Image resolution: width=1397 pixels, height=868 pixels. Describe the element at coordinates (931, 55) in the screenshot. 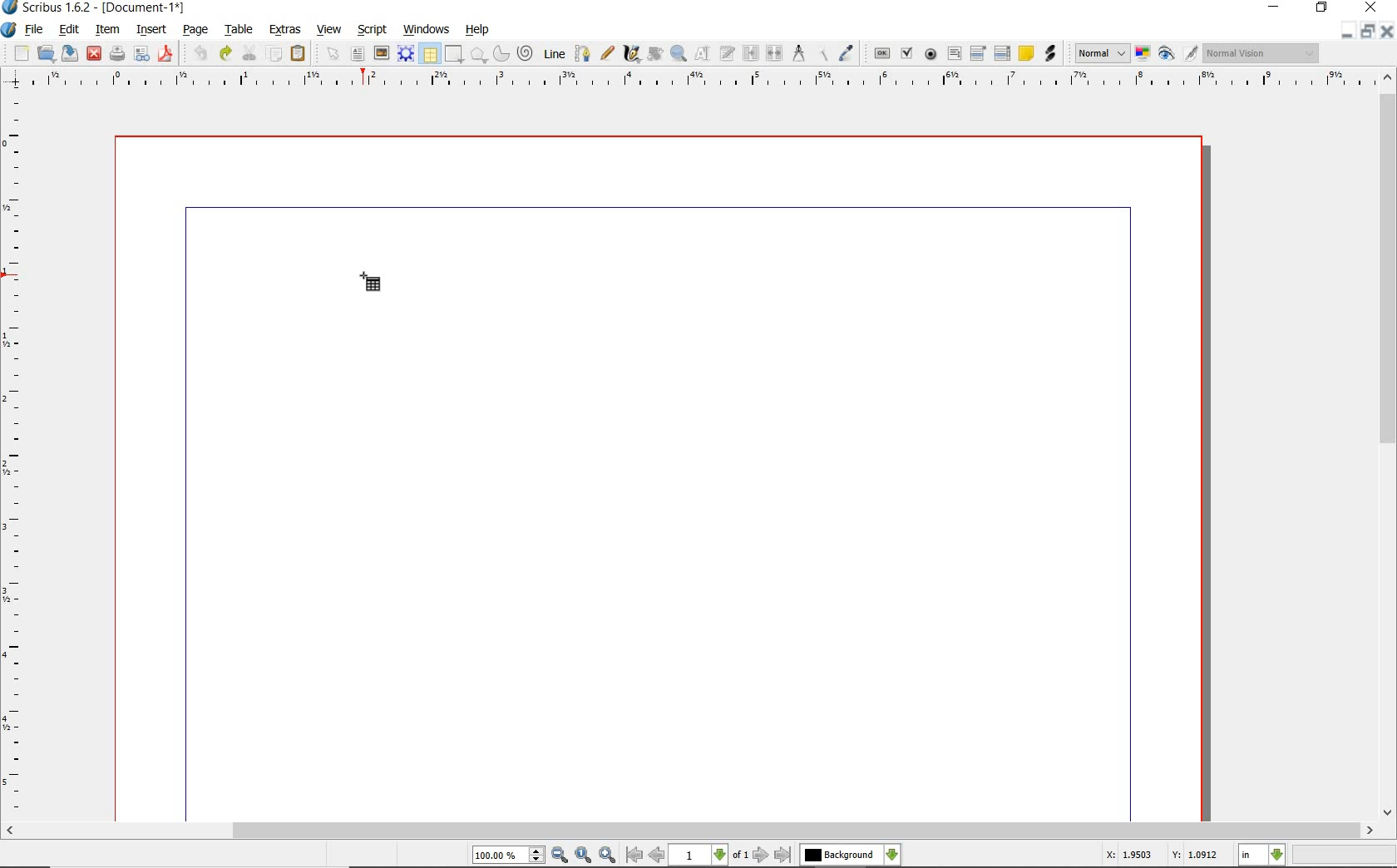

I see `pdf radio box` at that location.